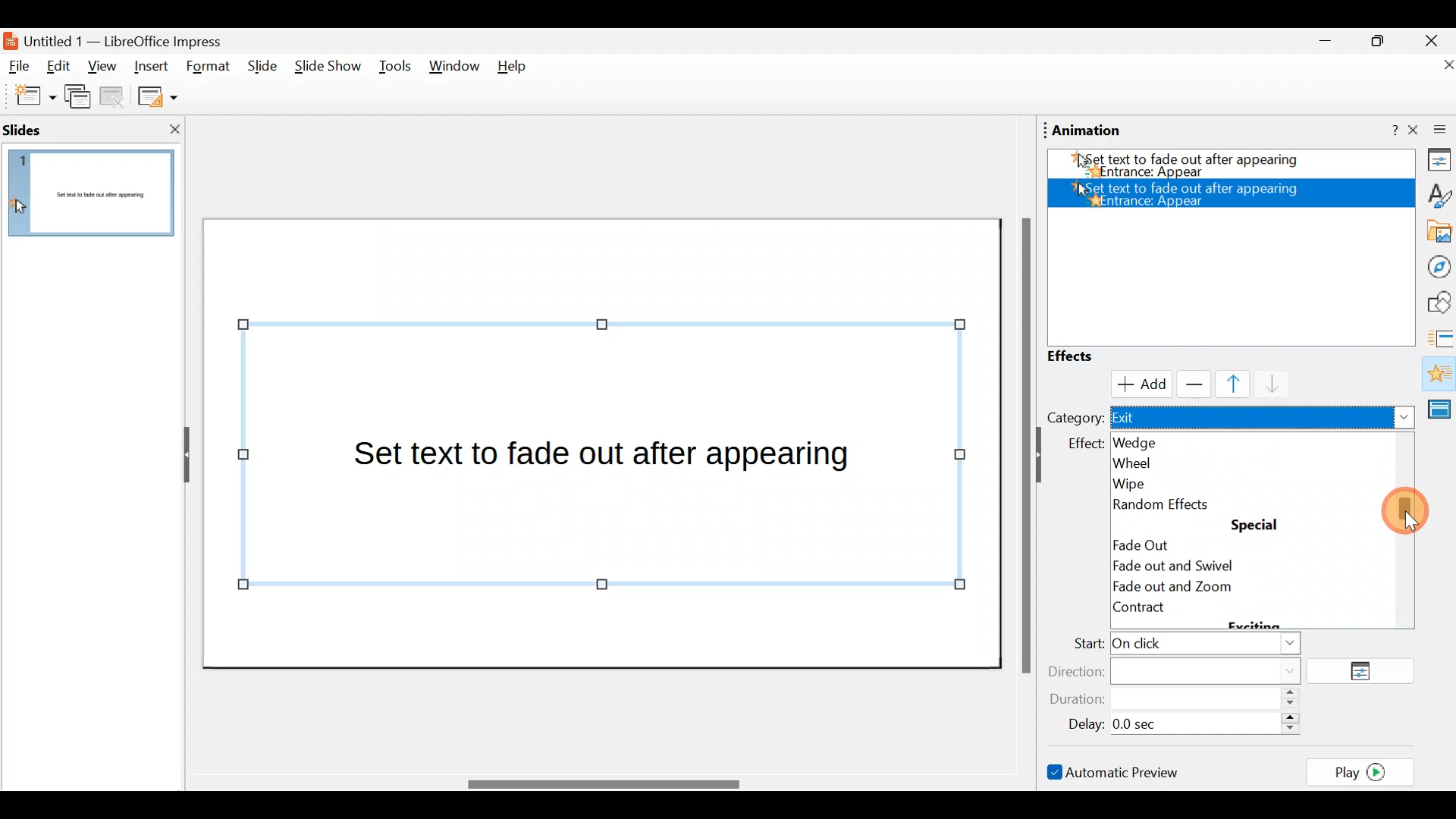 This screenshot has width=1456, height=819. Describe the element at coordinates (1224, 384) in the screenshot. I see `Move up` at that location.